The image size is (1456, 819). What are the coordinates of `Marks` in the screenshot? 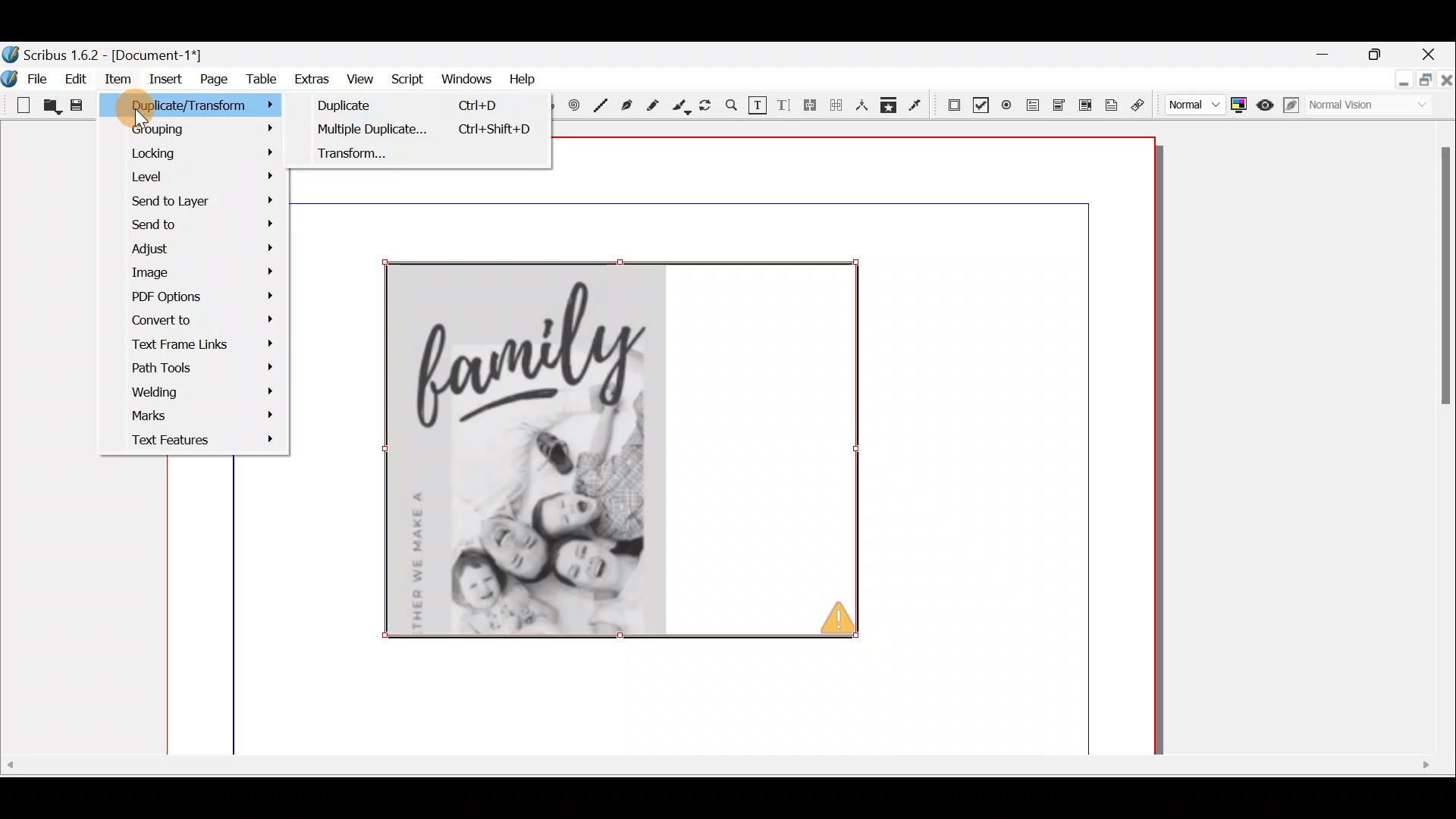 It's located at (194, 419).